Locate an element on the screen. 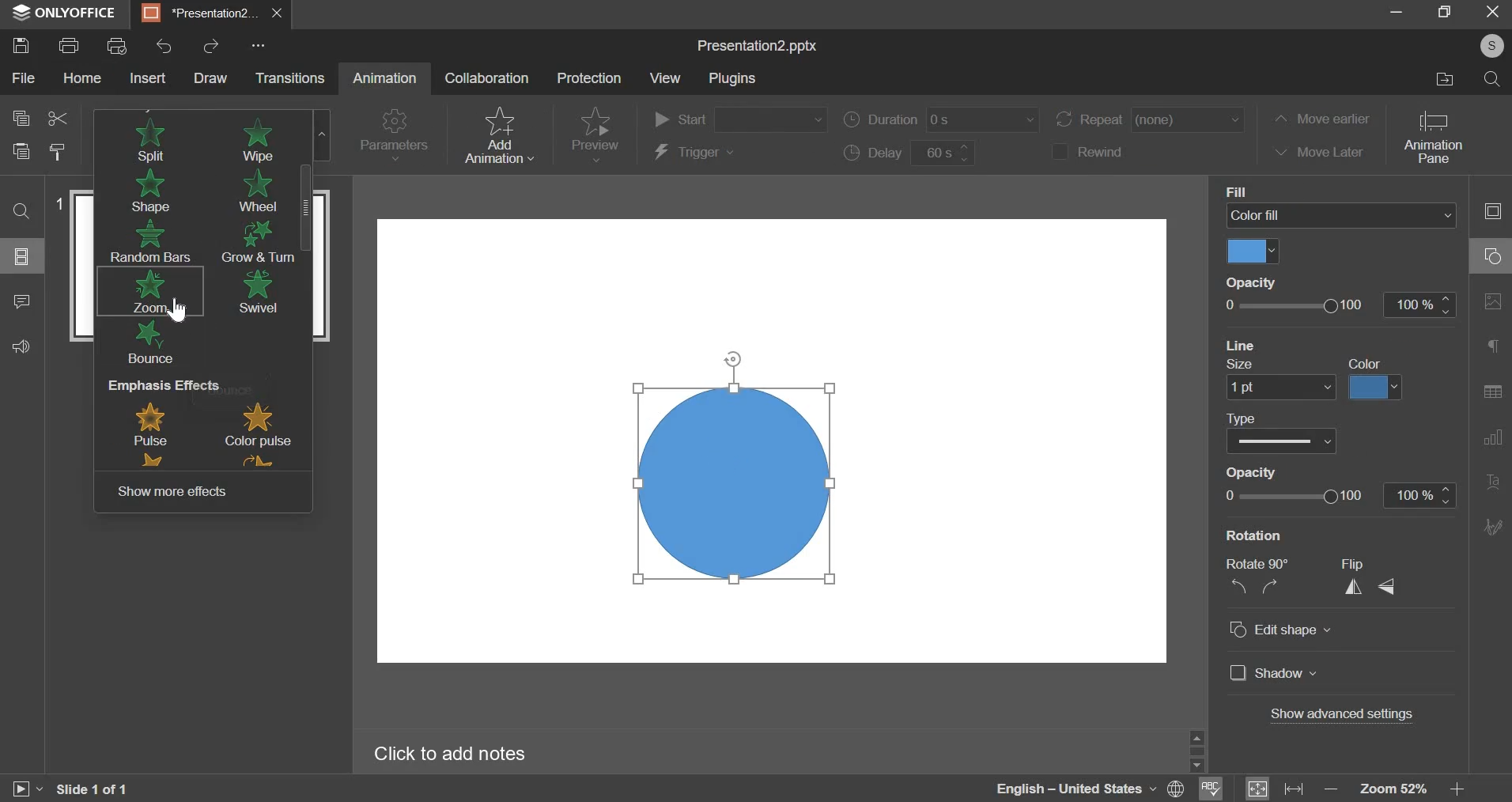 Image resolution: width=1512 pixels, height=802 pixels. animation pane is located at coordinates (1435, 138).